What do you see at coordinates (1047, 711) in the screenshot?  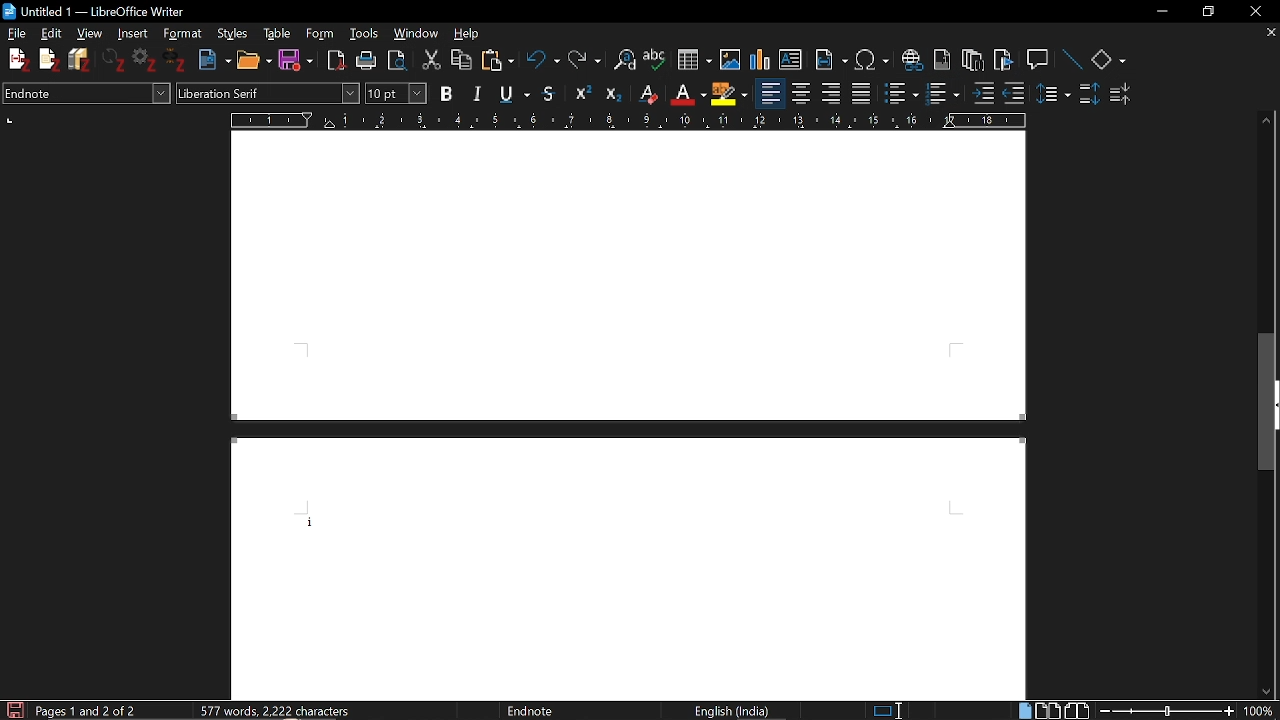 I see `Double page view` at bounding box center [1047, 711].